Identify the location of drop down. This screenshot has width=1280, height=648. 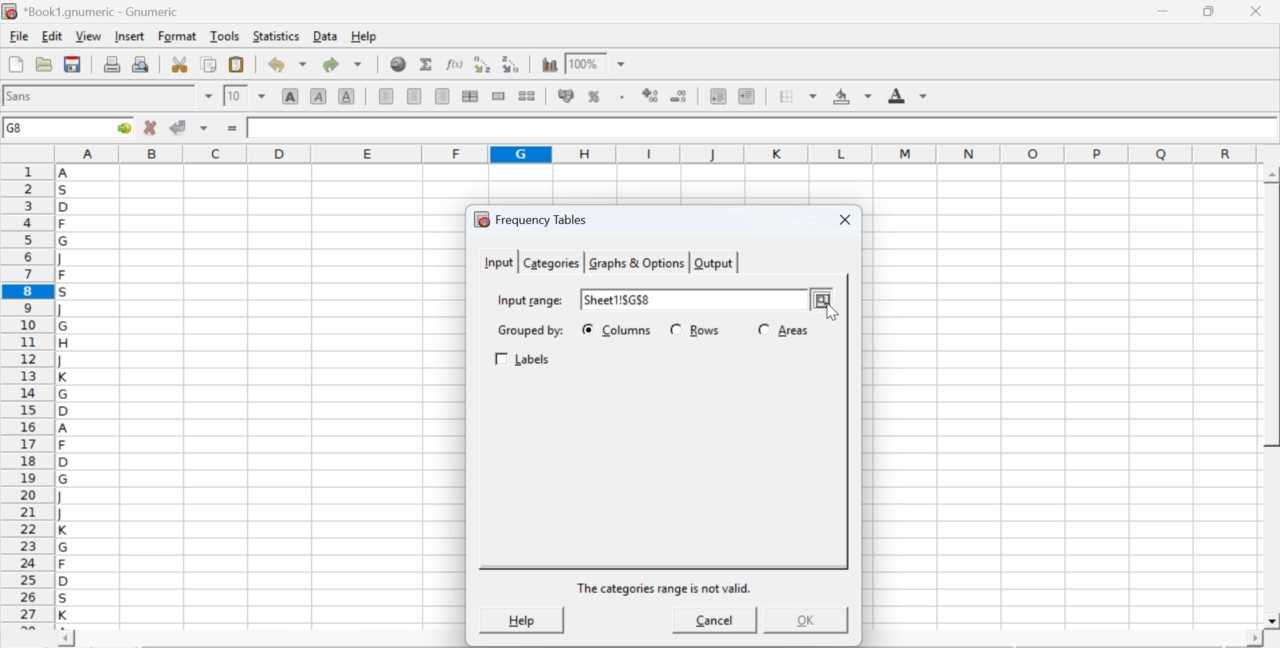
(622, 65).